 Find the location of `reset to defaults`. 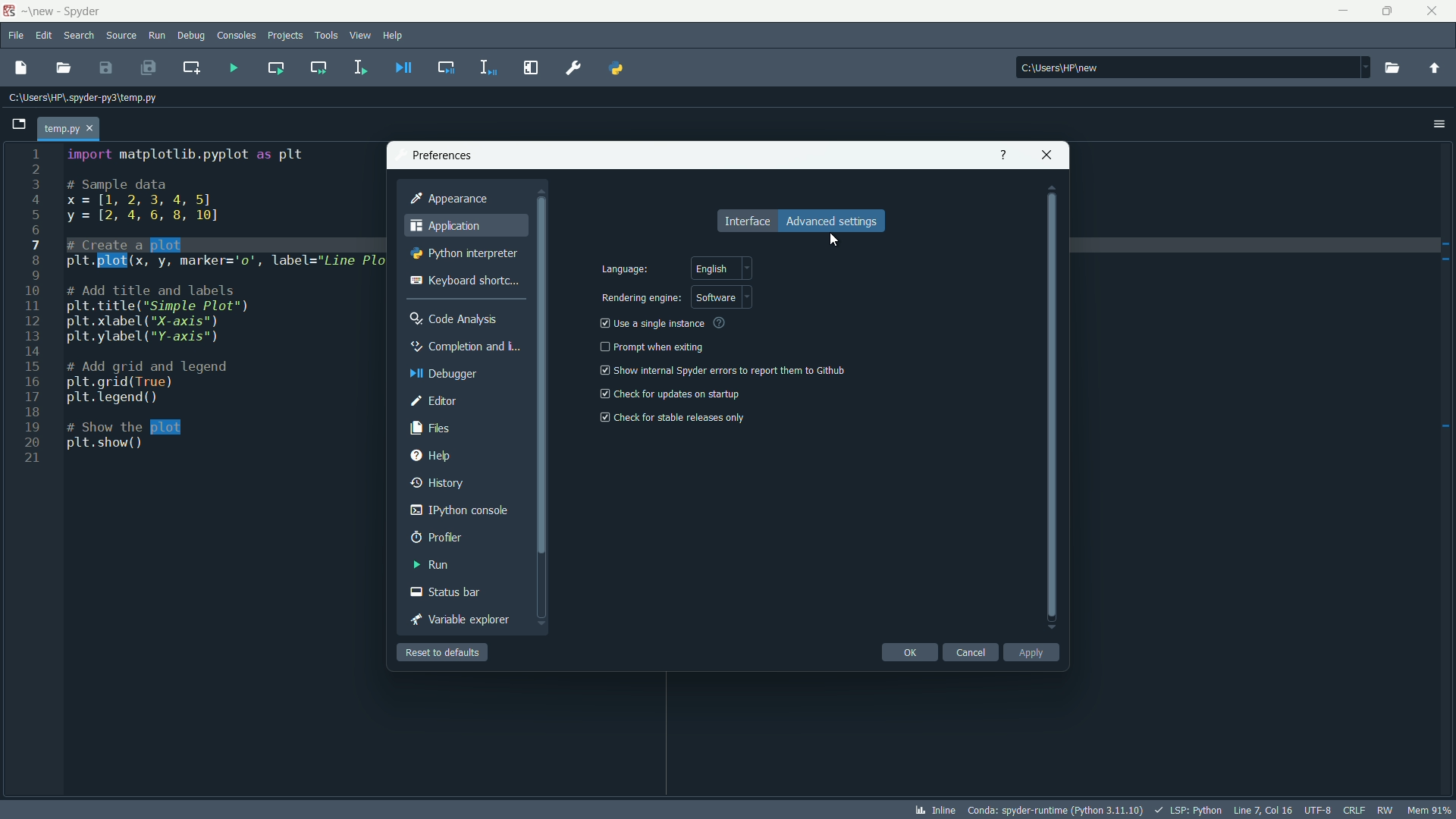

reset to defaults is located at coordinates (444, 651).